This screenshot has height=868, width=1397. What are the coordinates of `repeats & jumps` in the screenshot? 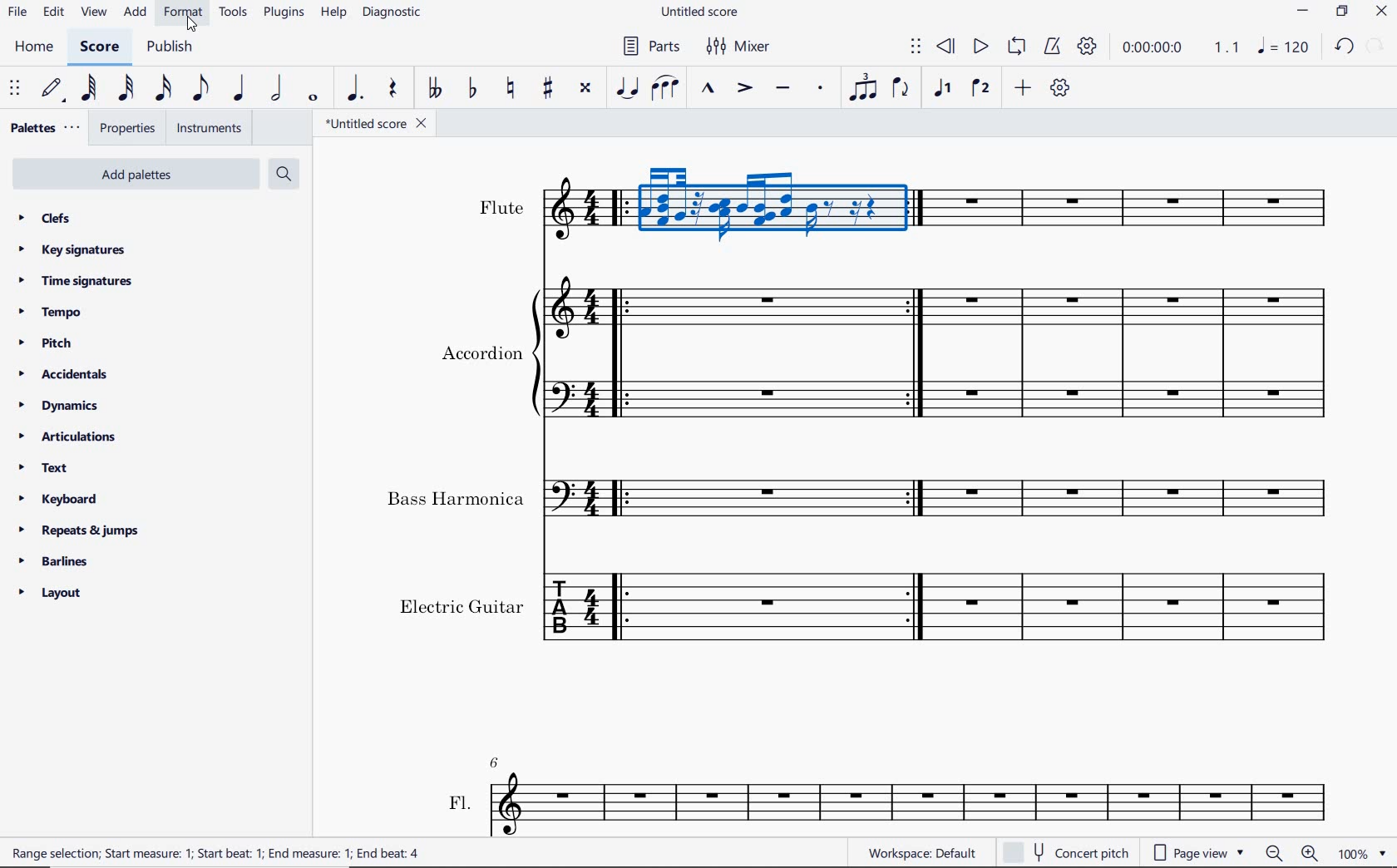 It's located at (84, 531).